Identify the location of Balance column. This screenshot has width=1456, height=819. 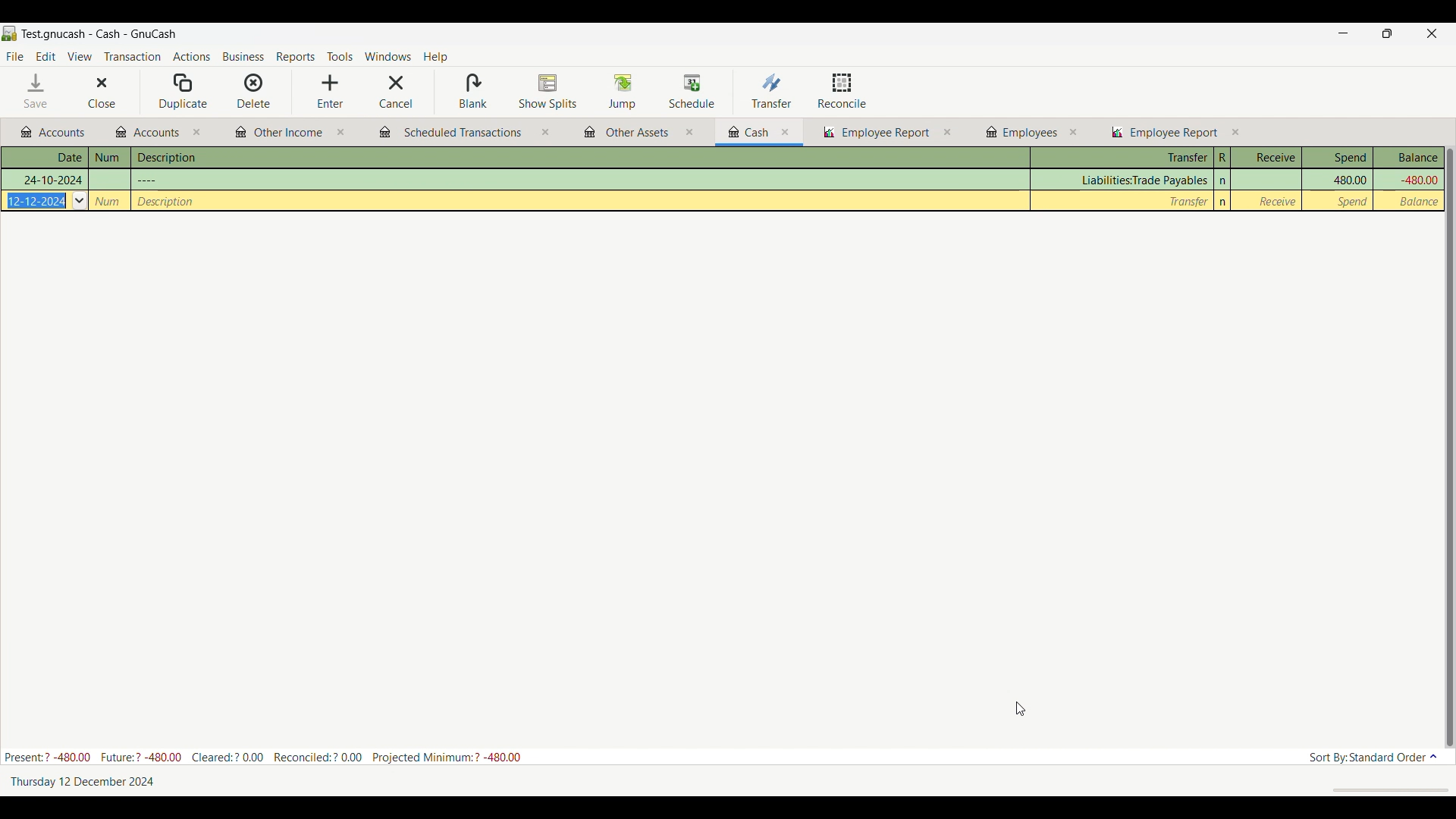
(1409, 158).